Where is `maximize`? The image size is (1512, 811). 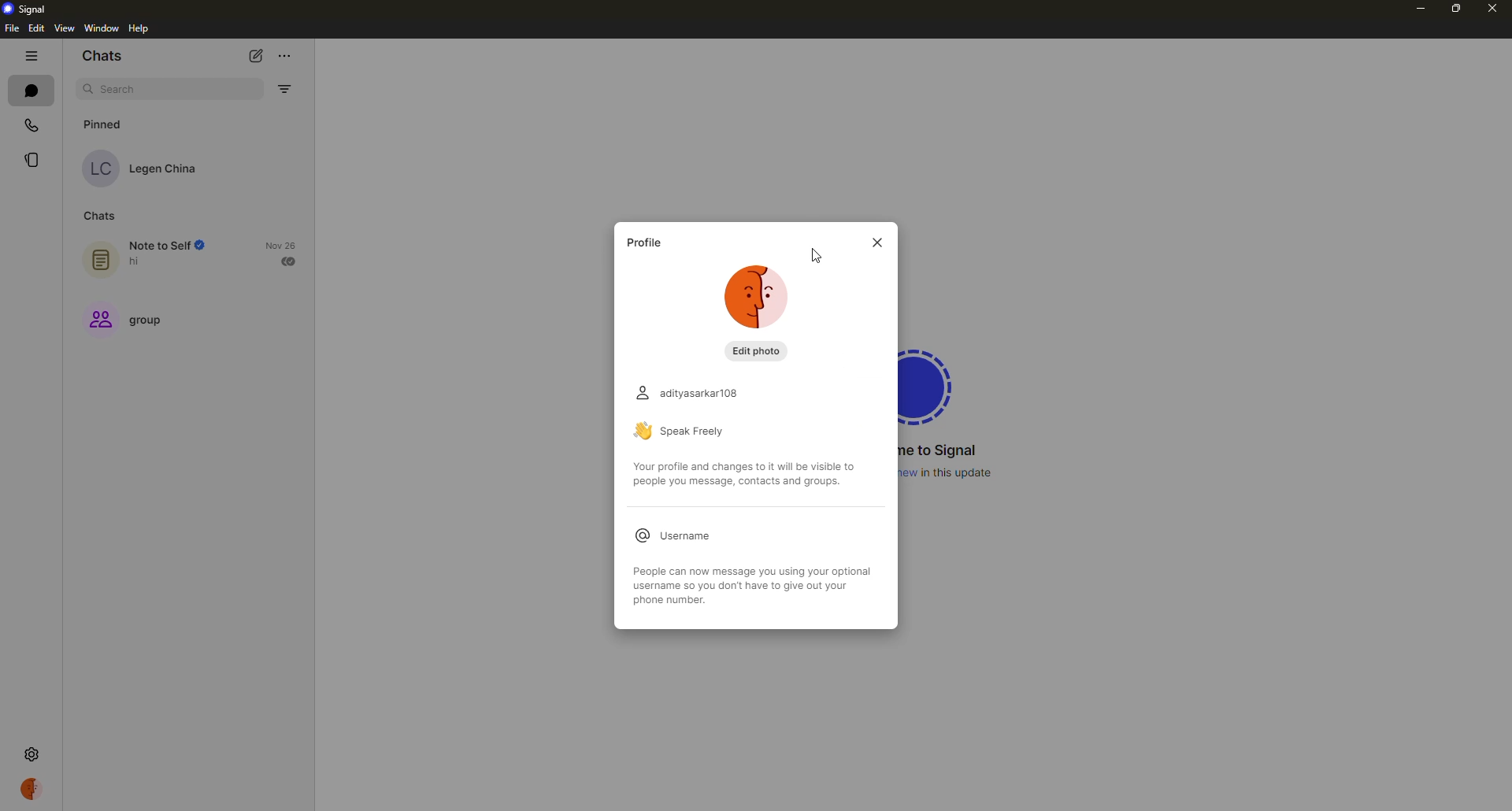 maximize is located at coordinates (1454, 9).